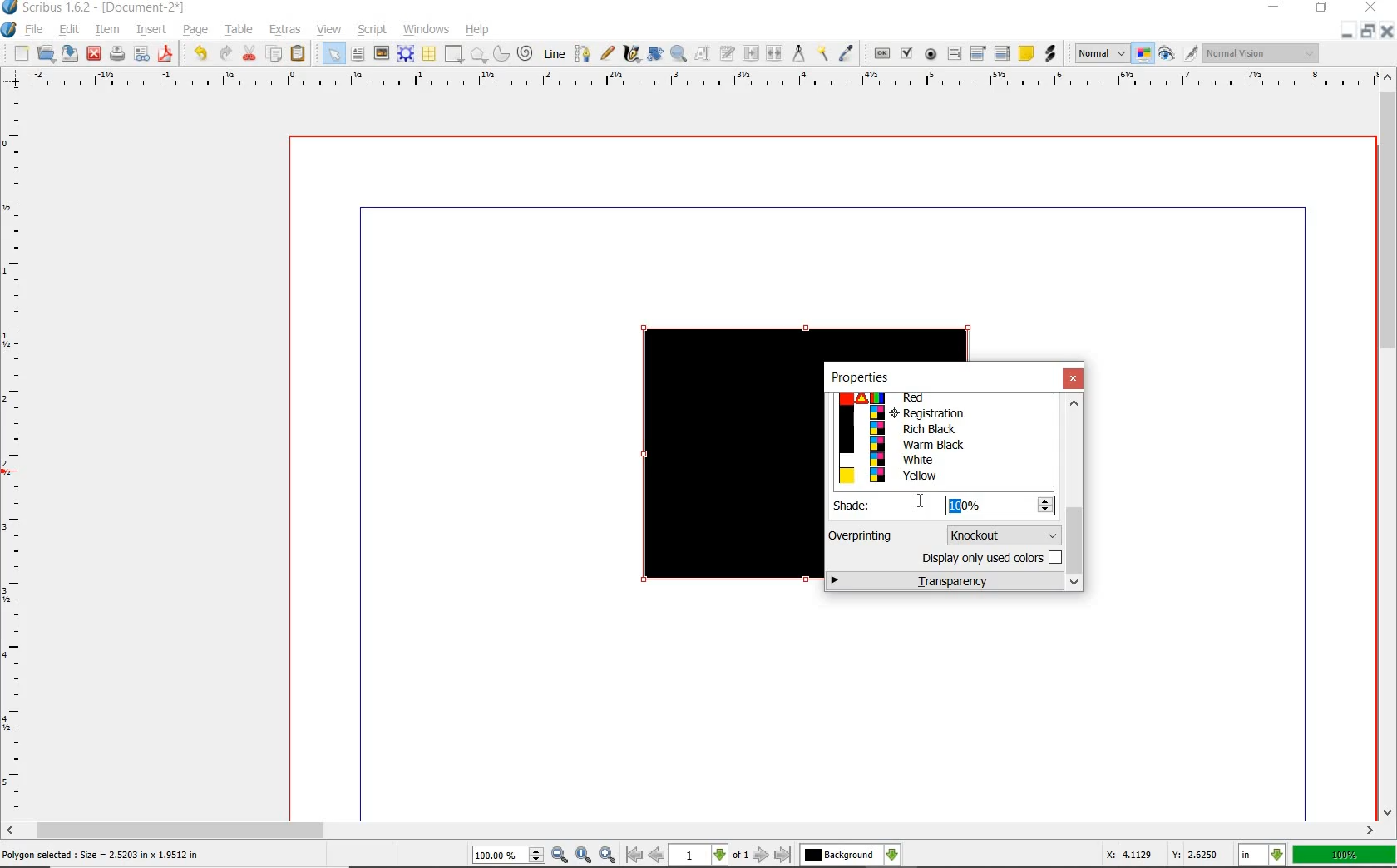 This screenshot has height=868, width=1397. Describe the element at coordinates (299, 55) in the screenshot. I see `paste` at that location.